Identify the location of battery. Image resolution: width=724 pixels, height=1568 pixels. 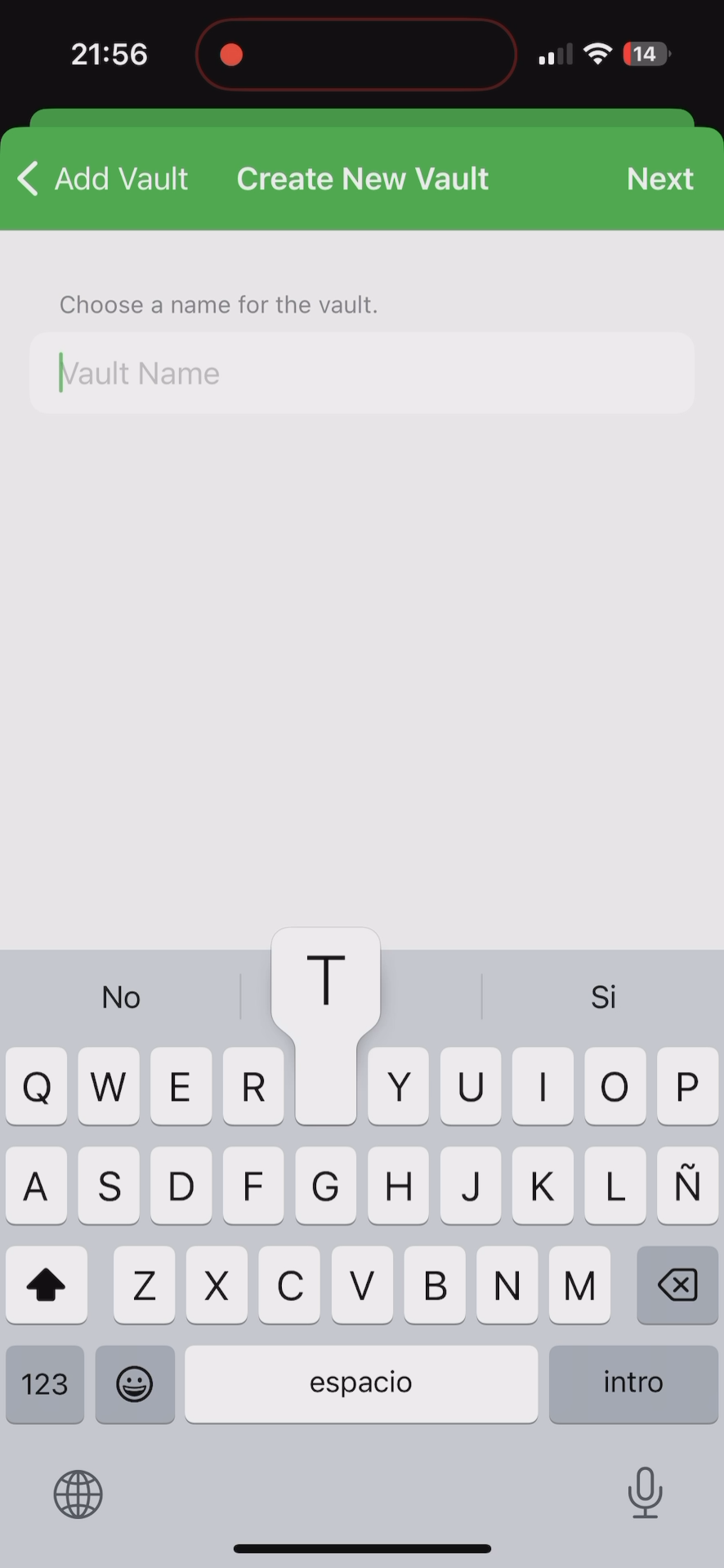
(646, 56).